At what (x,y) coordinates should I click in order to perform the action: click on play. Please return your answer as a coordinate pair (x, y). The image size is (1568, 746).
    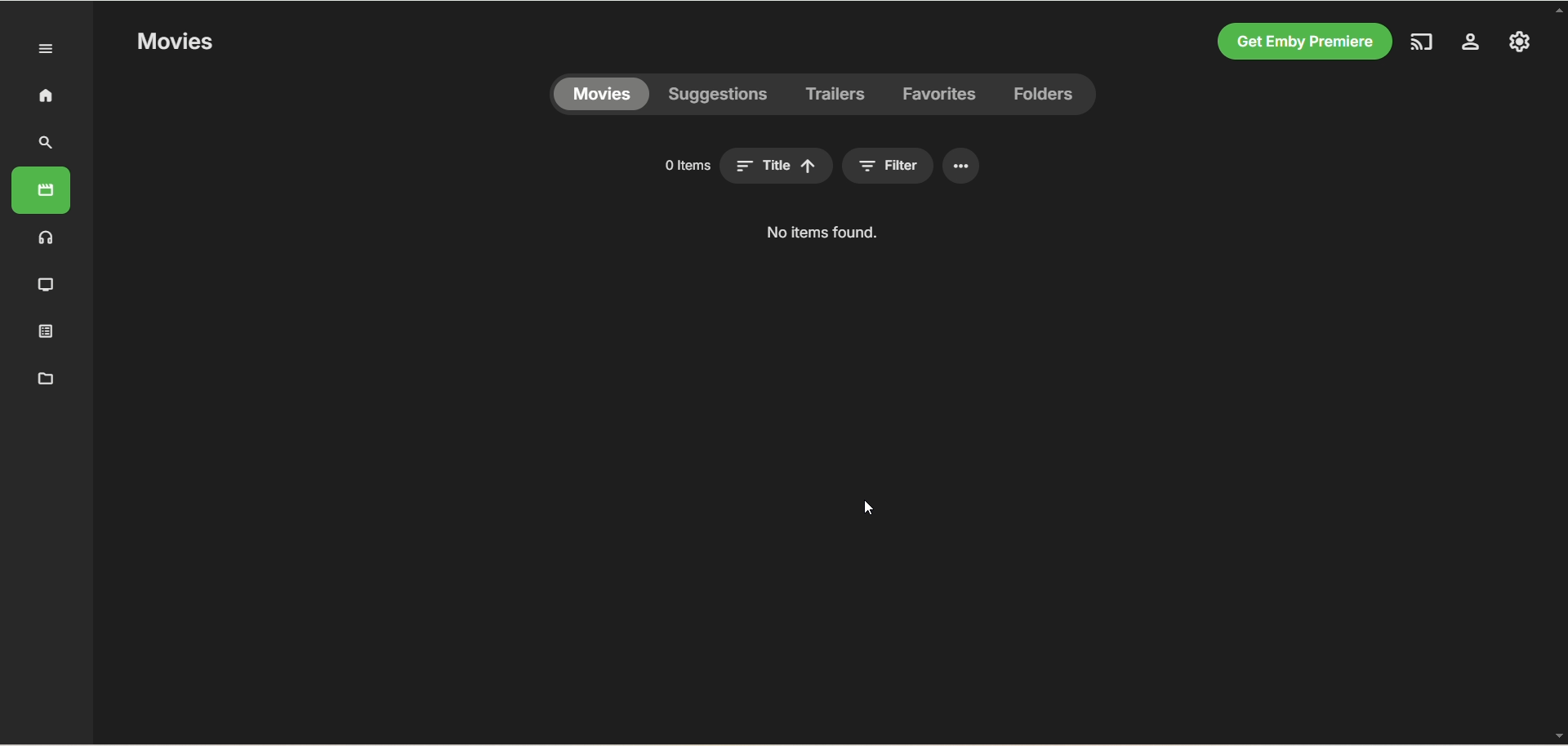
    Looking at the image, I should click on (653, 166).